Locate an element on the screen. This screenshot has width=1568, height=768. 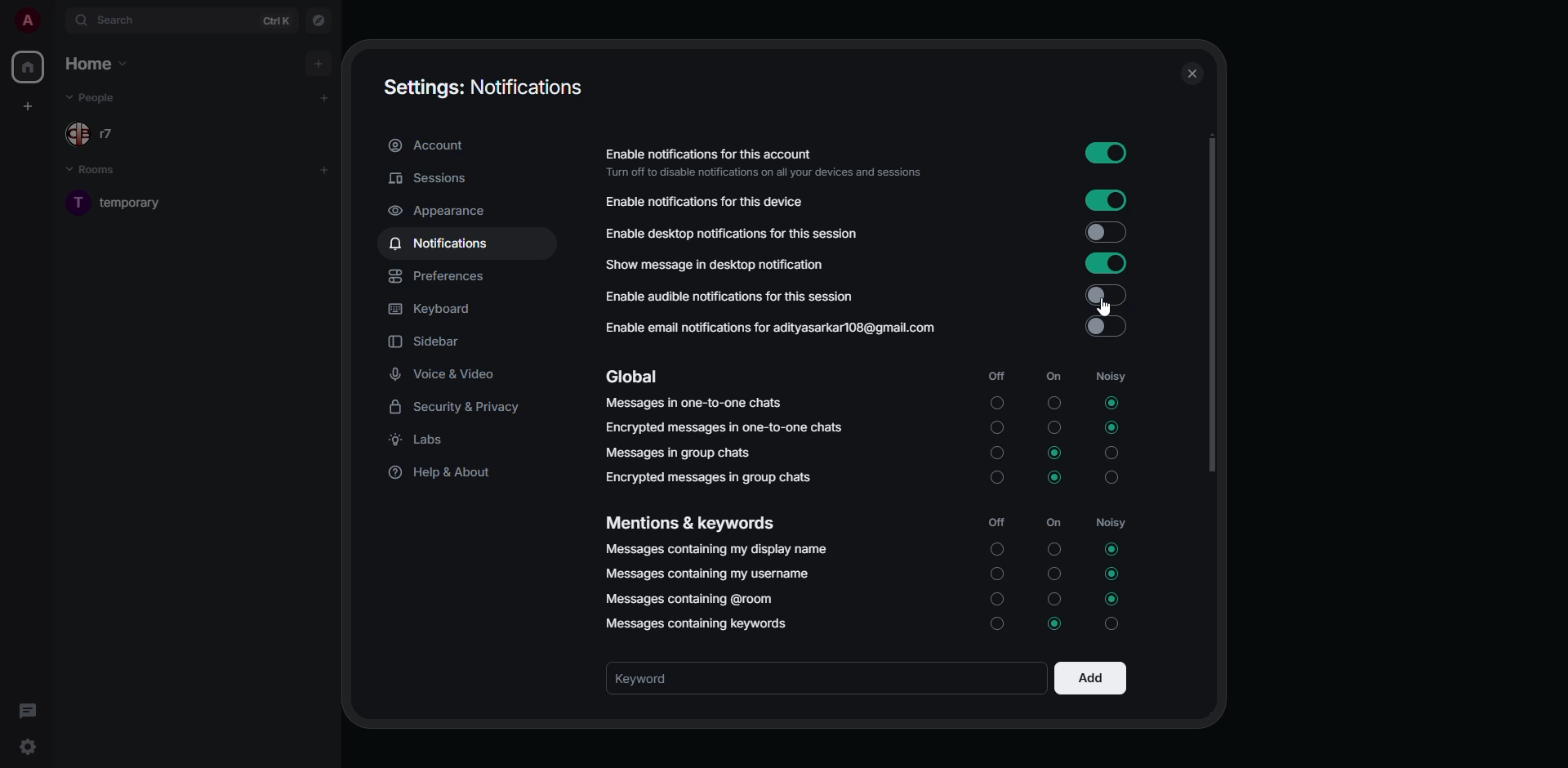
selected is located at coordinates (1056, 478).